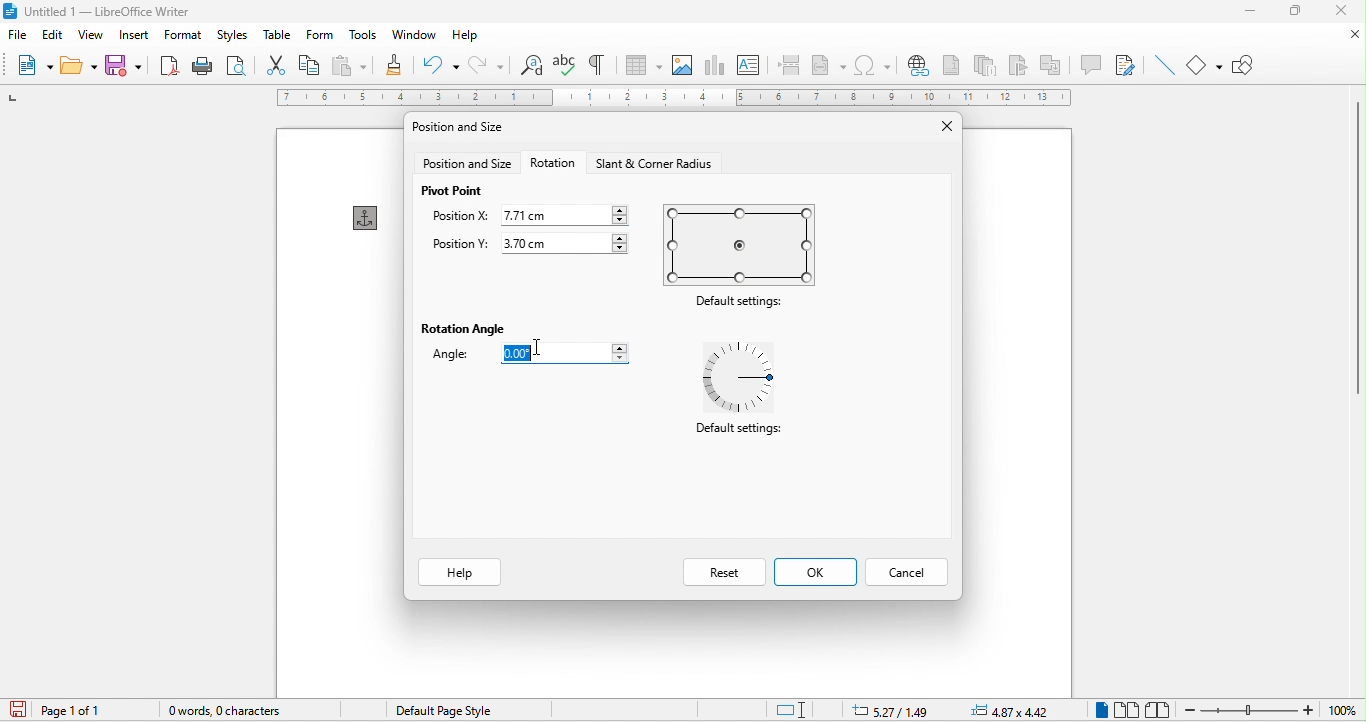 The height and width of the screenshot is (722, 1366). Describe the element at coordinates (462, 244) in the screenshot. I see `position y` at that location.